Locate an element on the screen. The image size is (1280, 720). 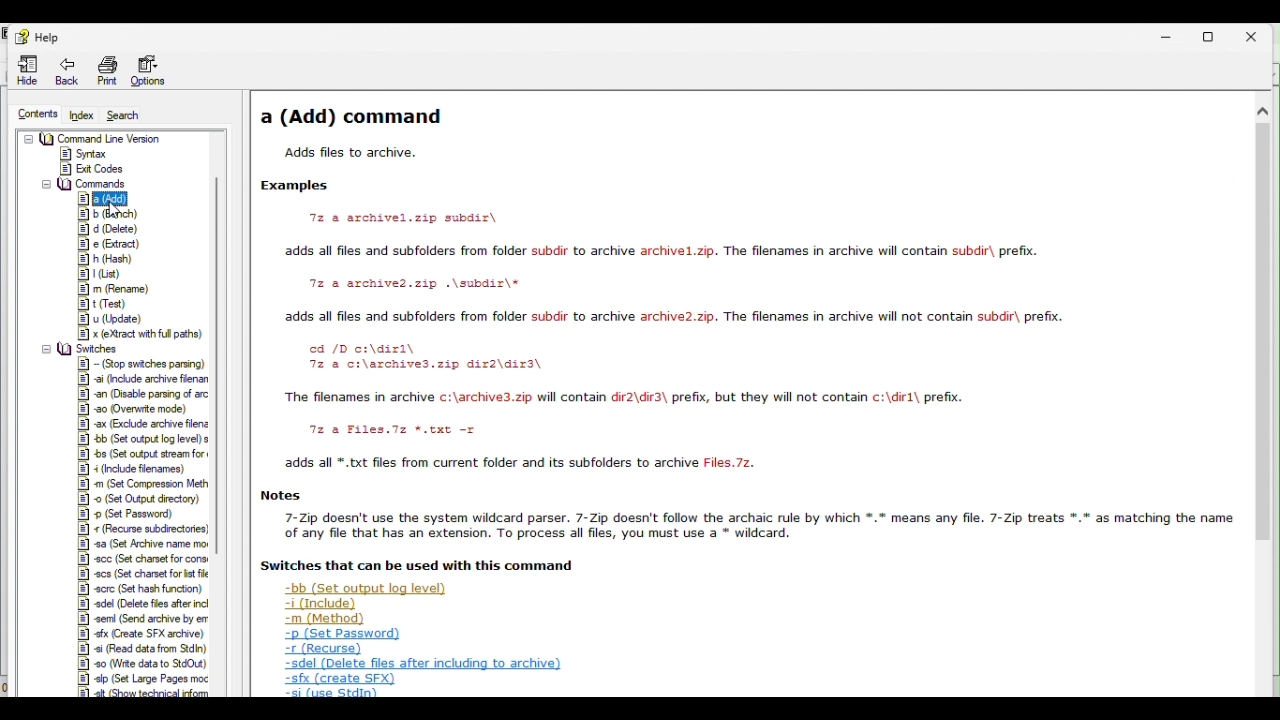
-sip is located at coordinates (145, 678).